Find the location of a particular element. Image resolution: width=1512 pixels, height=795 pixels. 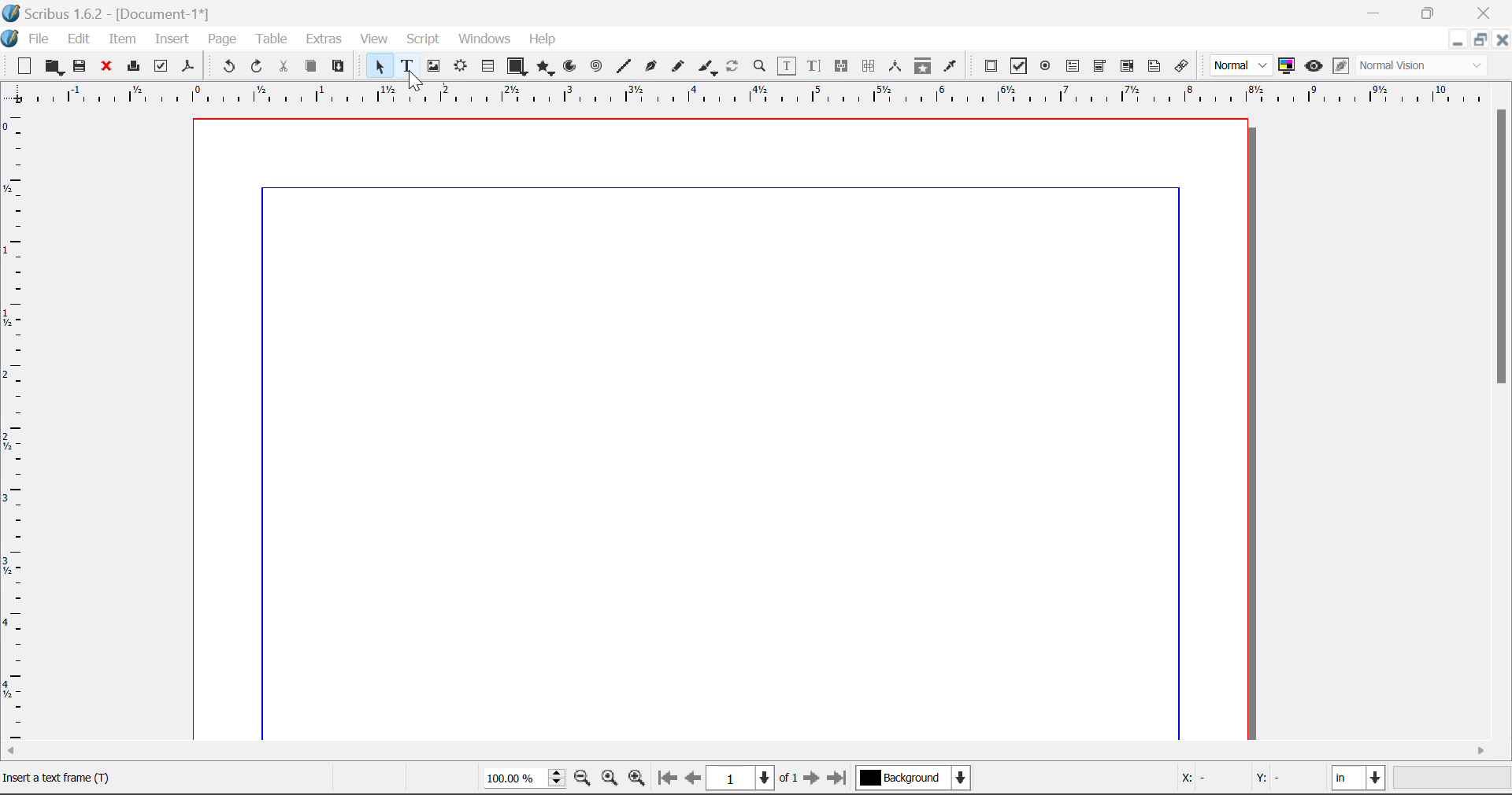

Select is located at coordinates (377, 66).